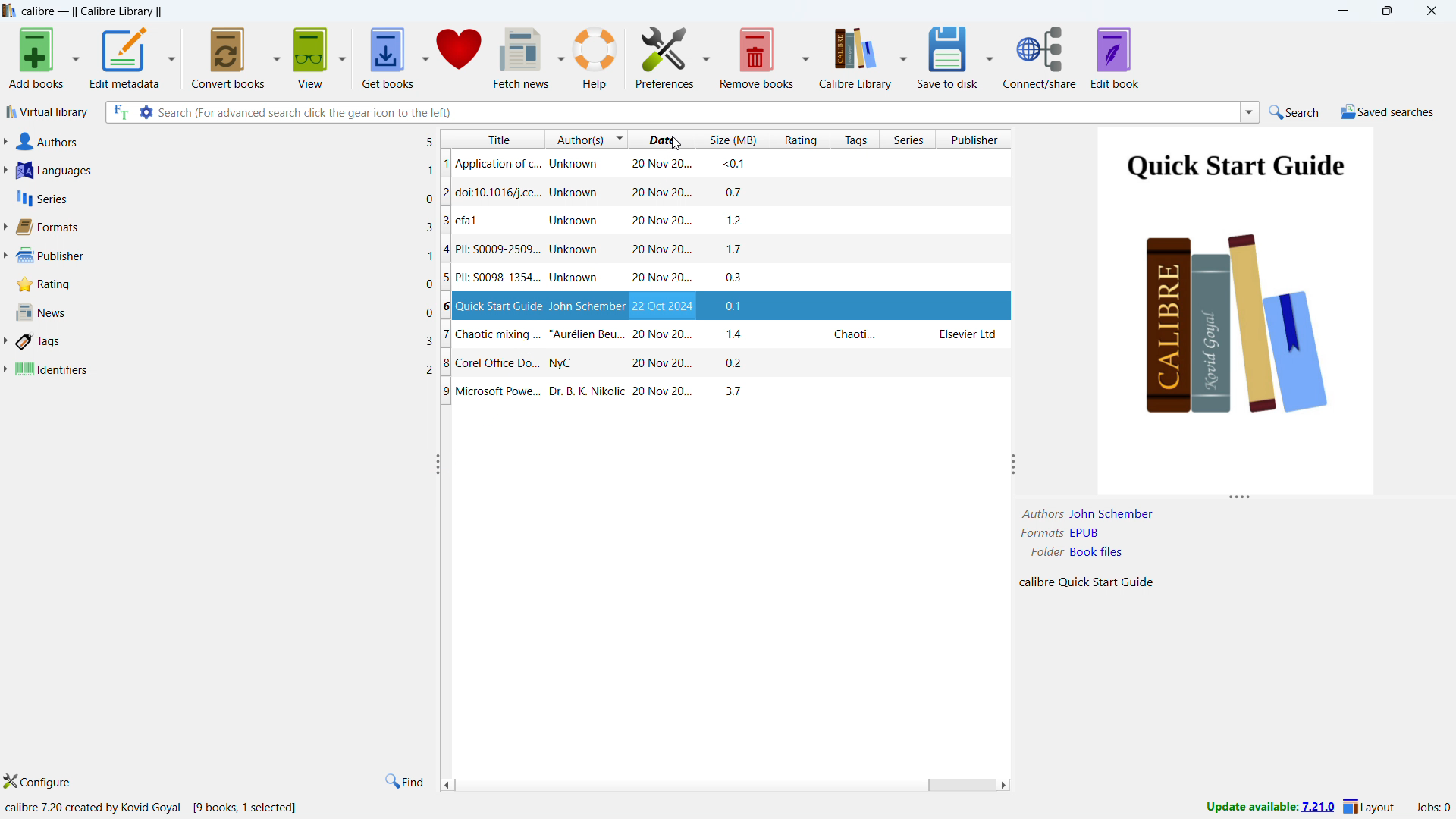  Describe the element at coordinates (588, 391) in the screenshot. I see `Dr.B.K Nikolic` at that location.